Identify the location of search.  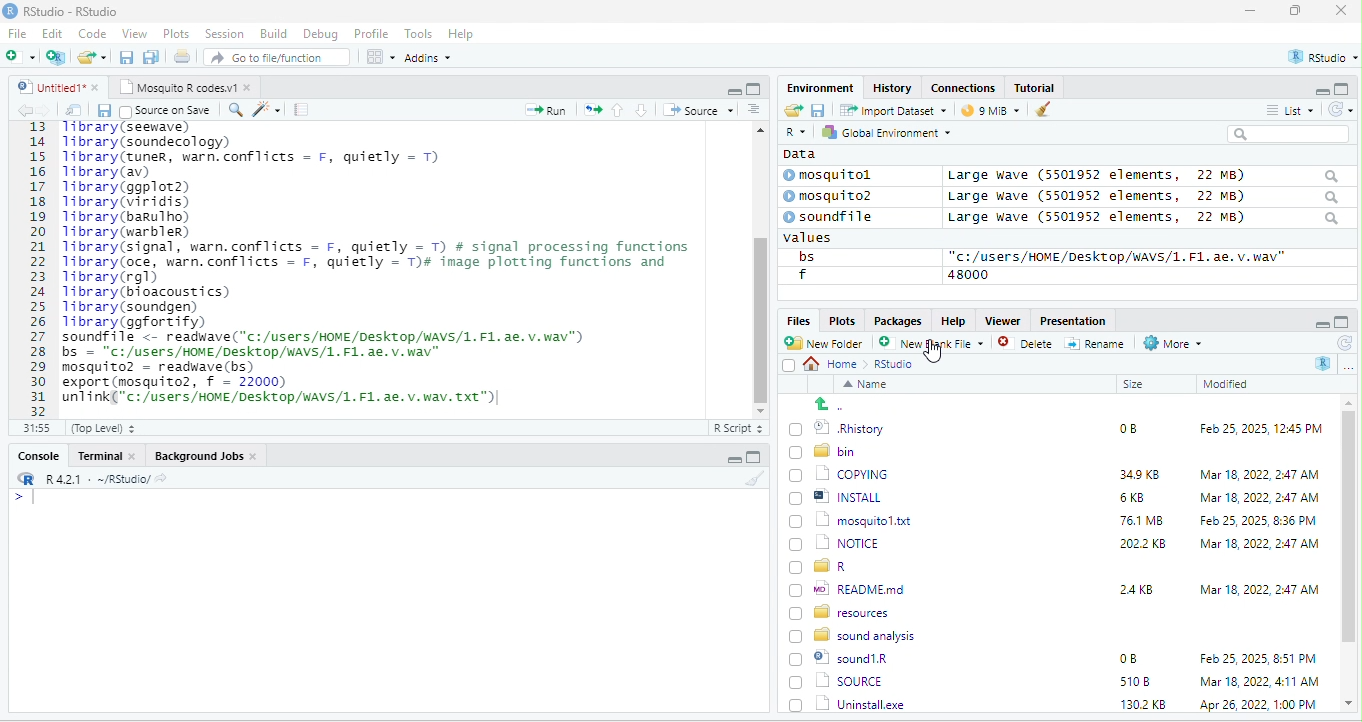
(1295, 134).